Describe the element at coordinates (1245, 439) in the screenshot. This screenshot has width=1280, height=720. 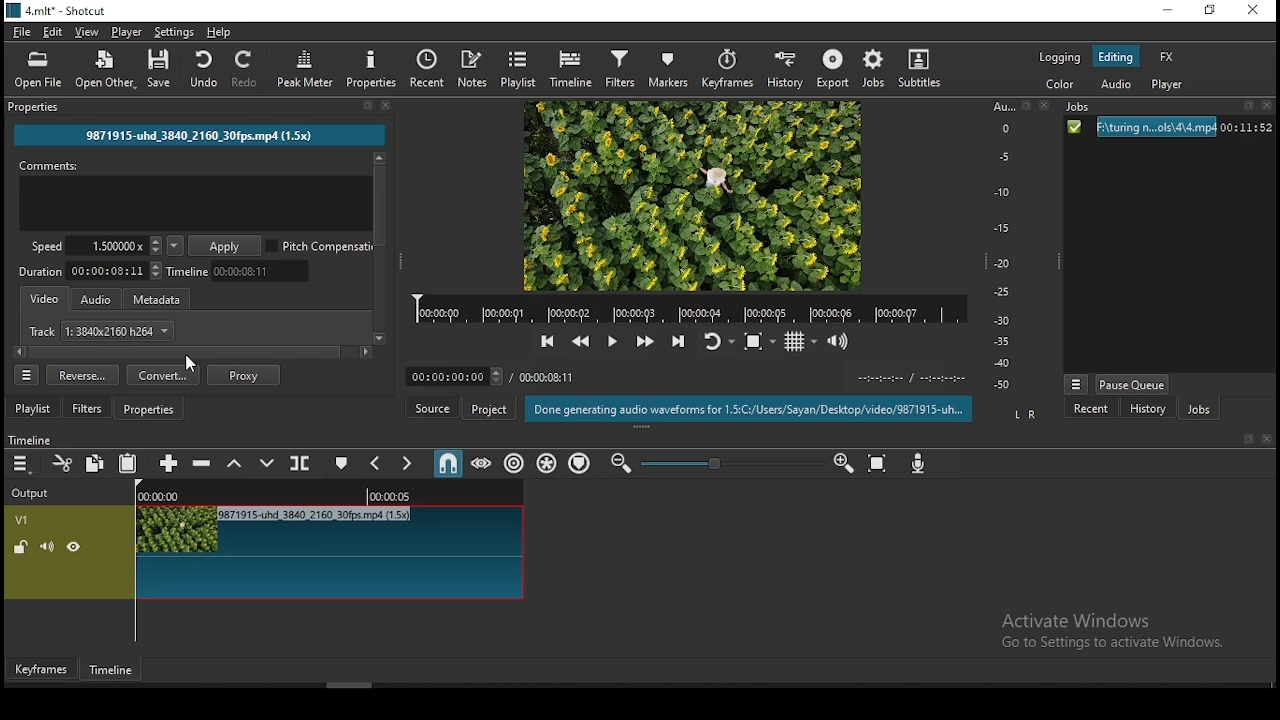
I see `bookmark` at that location.